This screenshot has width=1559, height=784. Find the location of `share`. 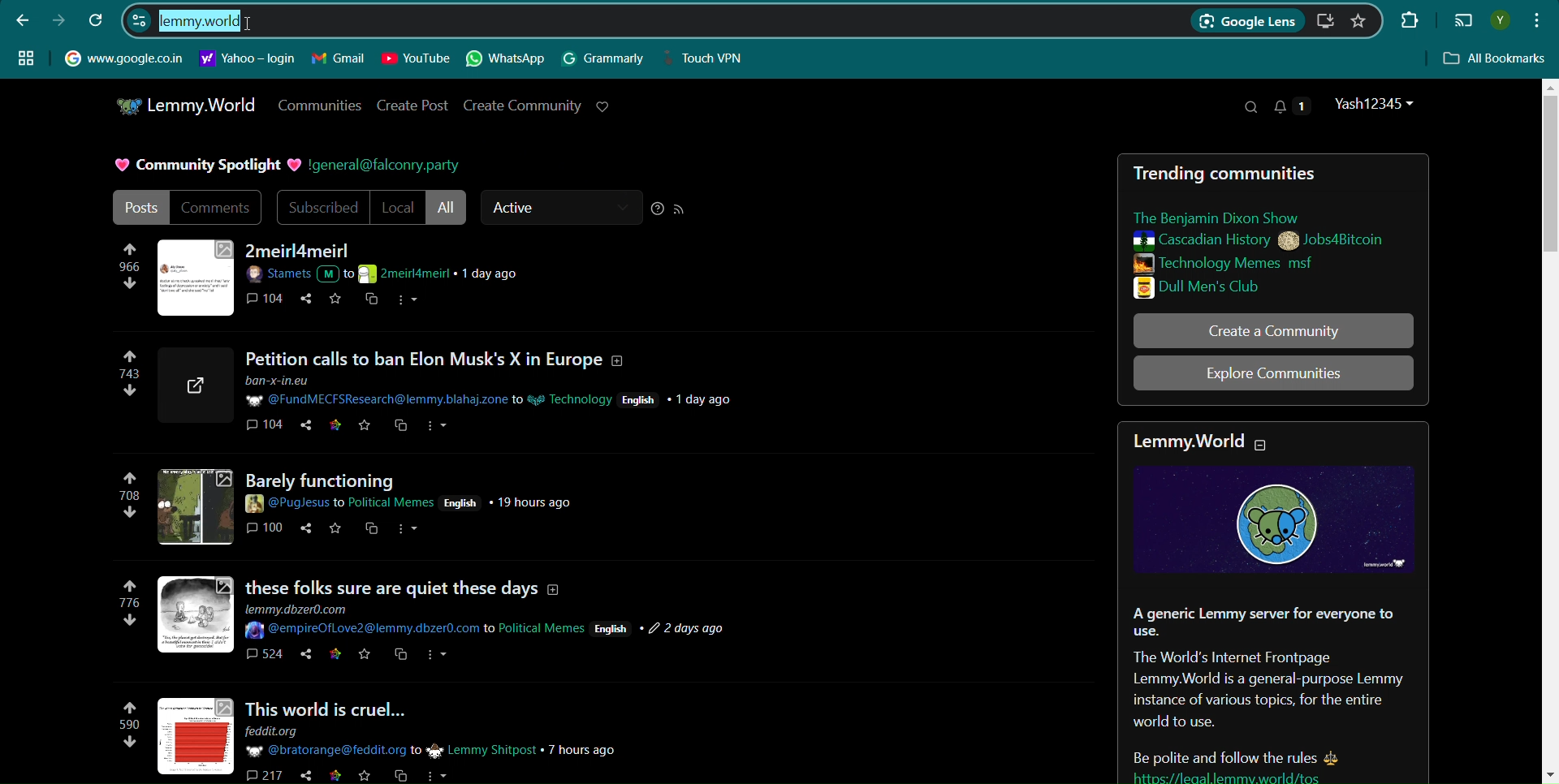

share is located at coordinates (309, 428).